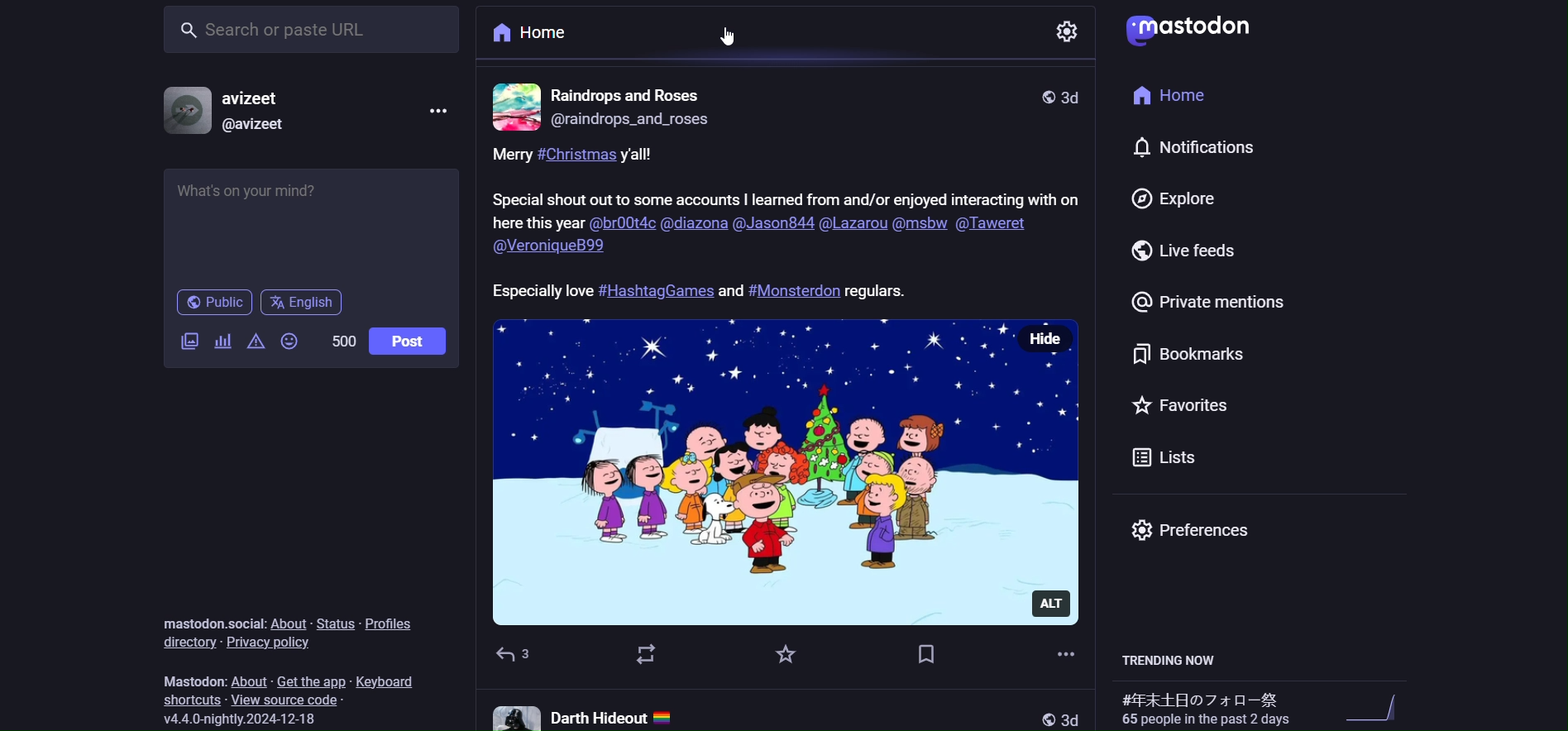  What do you see at coordinates (1207, 531) in the screenshot?
I see `preferences` at bounding box center [1207, 531].